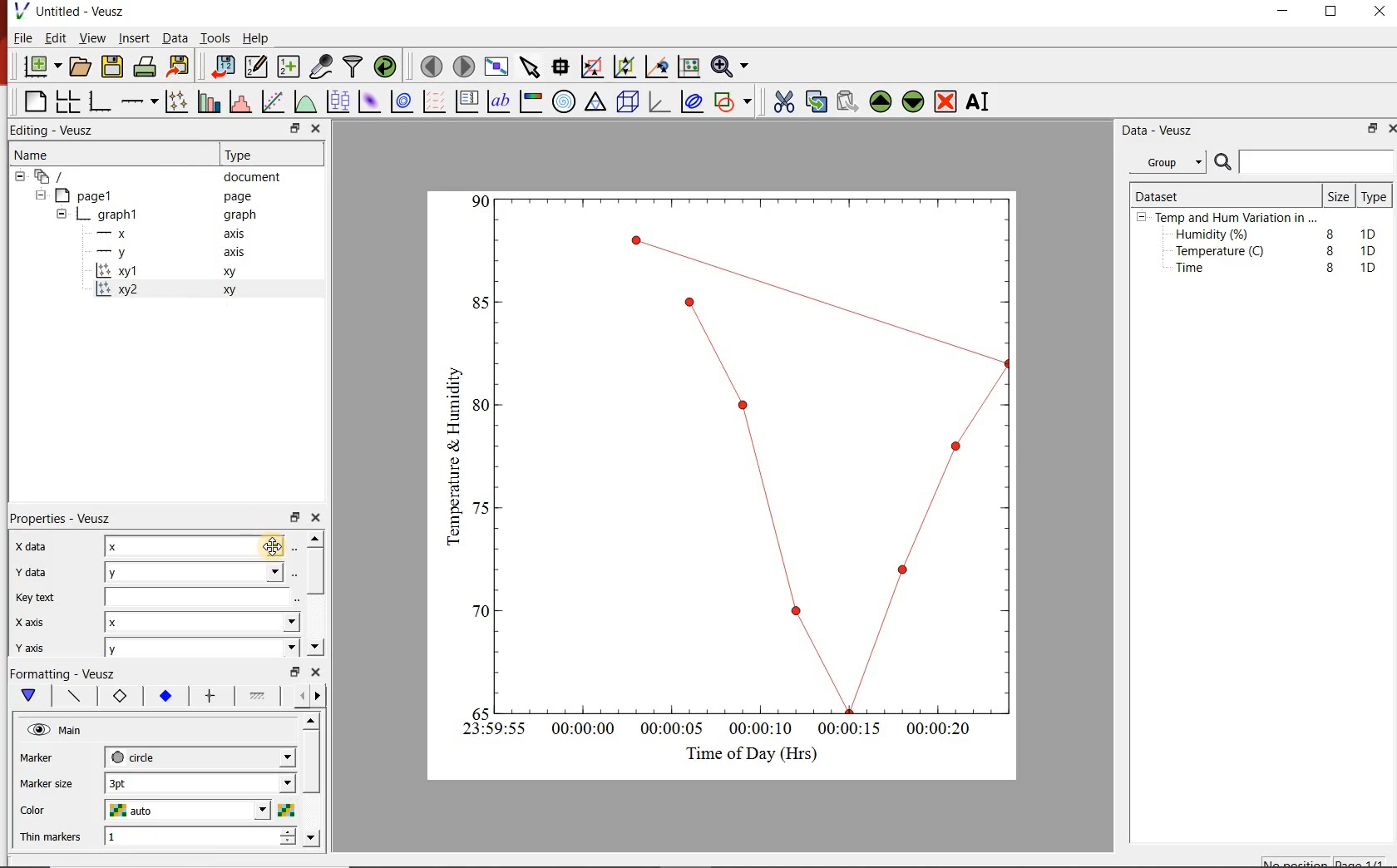 The width and height of the screenshot is (1397, 868). What do you see at coordinates (56, 40) in the screenshot?
I see `Edit` at bounding box center [56, 40].